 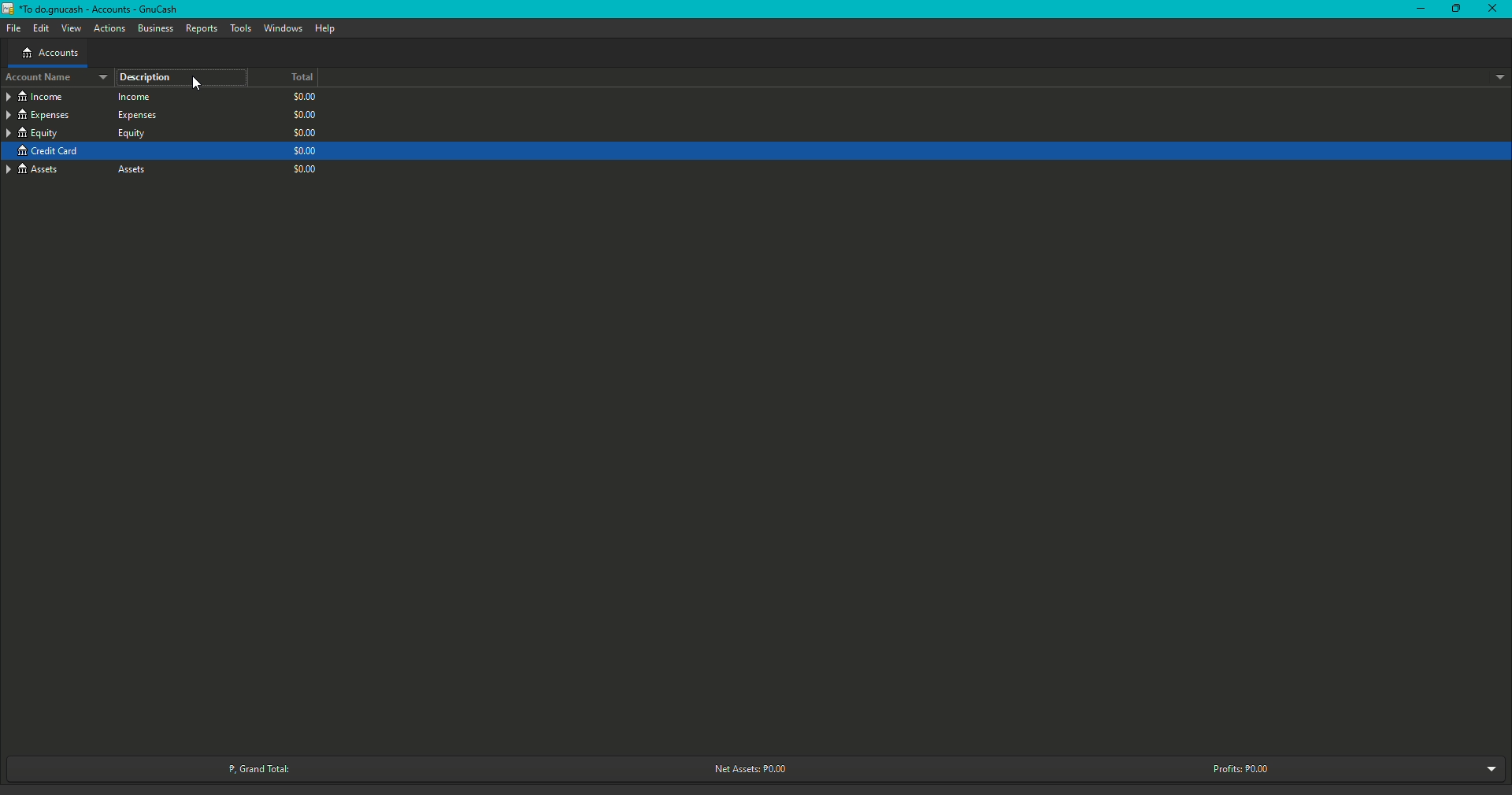 What do you see at coordinates (280, 30) in the screenshot?
I see `Windows` at bounding box center [280, 30].